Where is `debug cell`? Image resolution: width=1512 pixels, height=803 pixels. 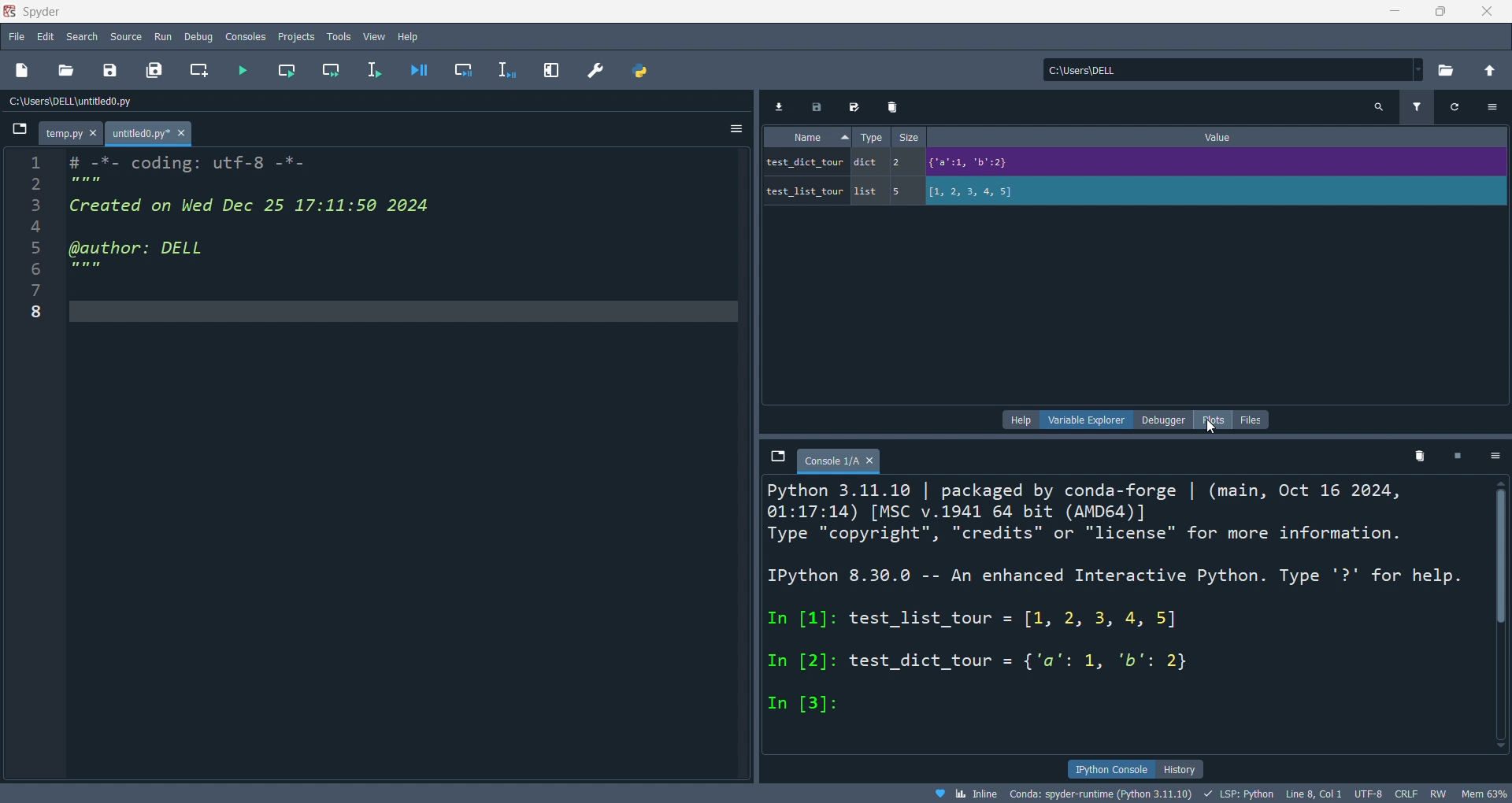
debug cell is located at coordinates (462, 68).